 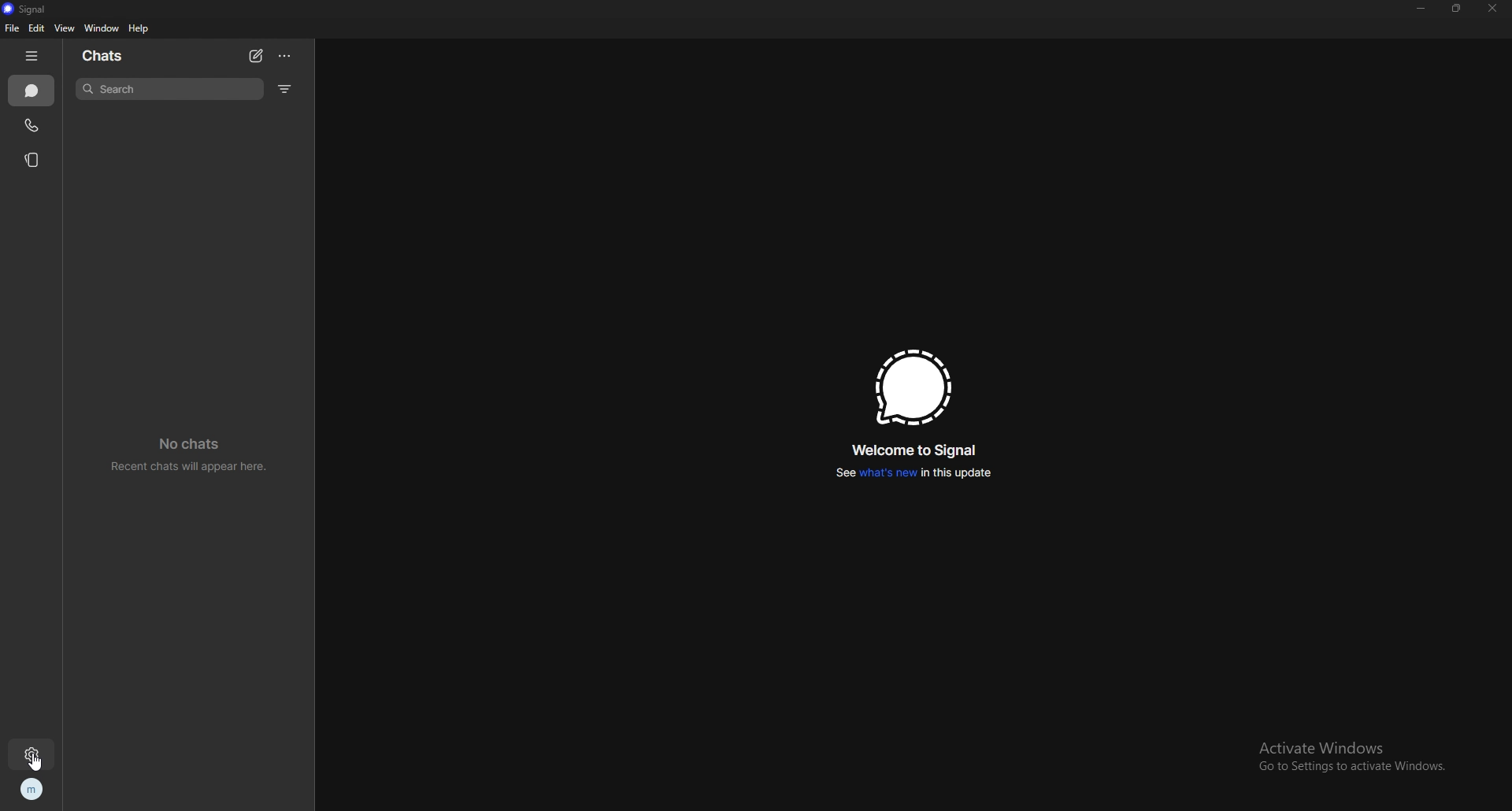 What do you see at coordinates (1457, 8) in the screenshot?
I see `resize` at bounding box center [1457, 8].